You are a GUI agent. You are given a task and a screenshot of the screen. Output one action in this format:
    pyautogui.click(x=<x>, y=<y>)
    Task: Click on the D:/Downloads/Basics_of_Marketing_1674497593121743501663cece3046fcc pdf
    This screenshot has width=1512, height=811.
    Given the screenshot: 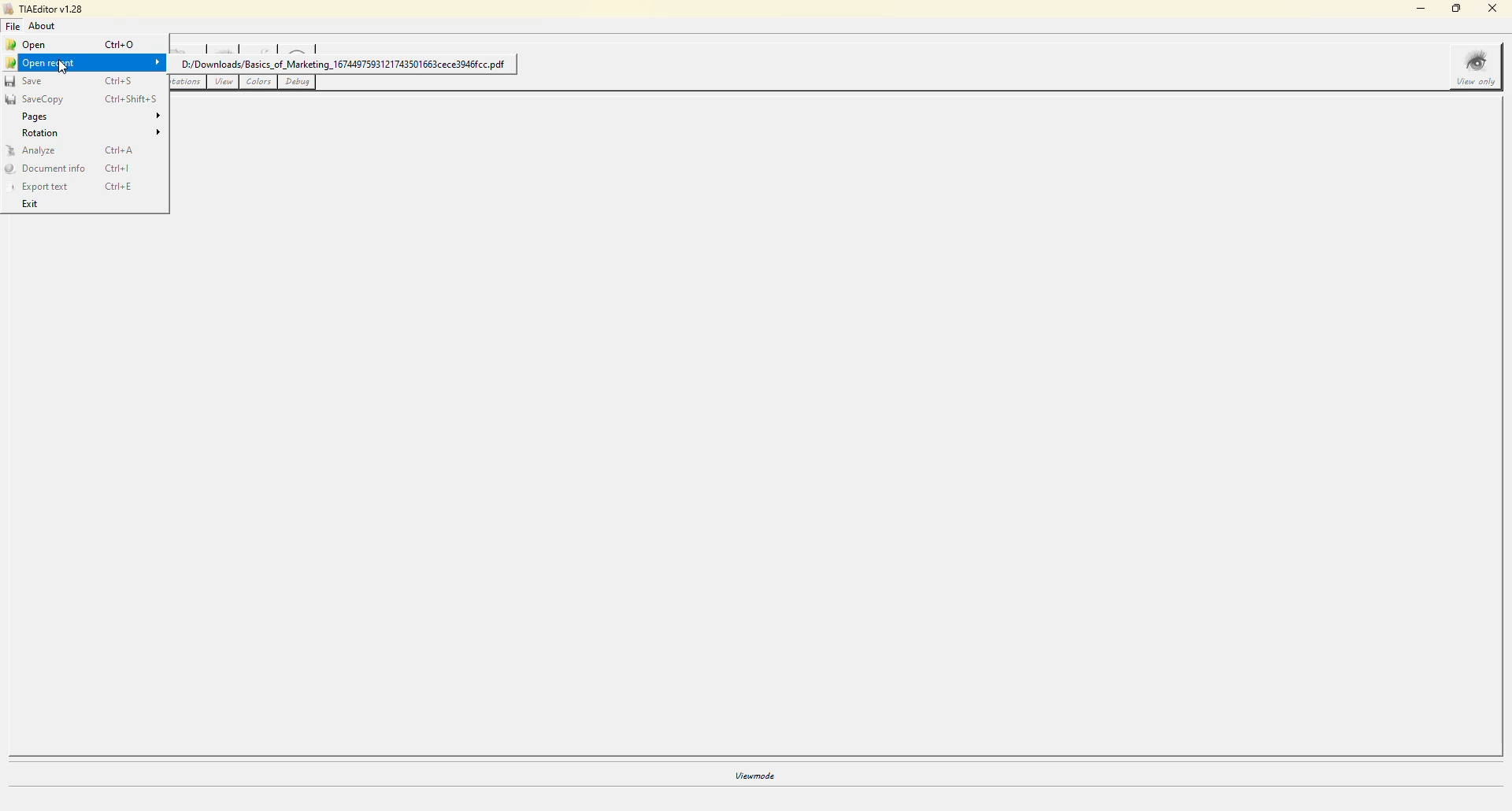 What is the action you would take?
    pyautogui.click(x=345, y=65)
    